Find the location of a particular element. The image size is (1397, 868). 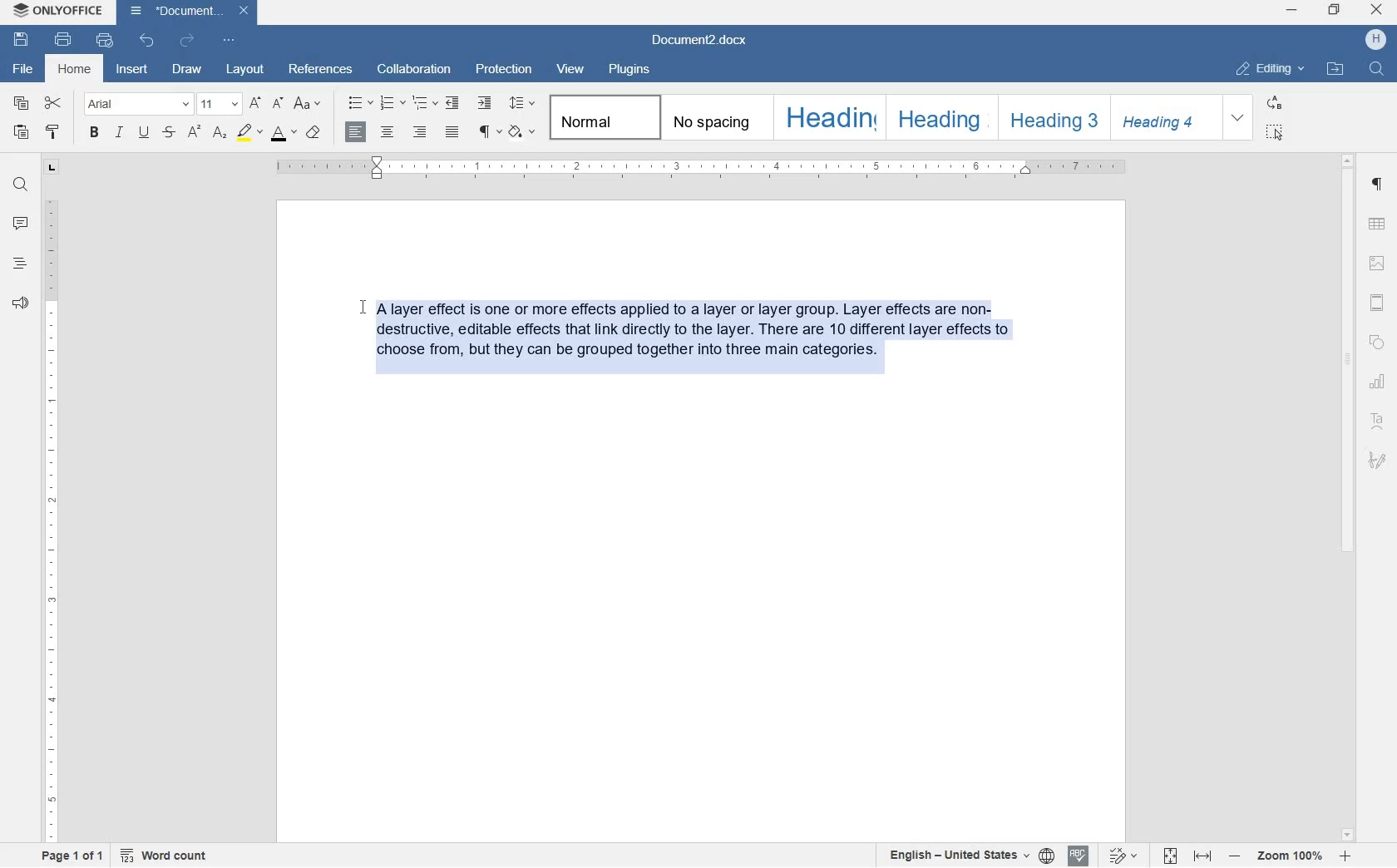

redo is located at coordinates (184, 42).